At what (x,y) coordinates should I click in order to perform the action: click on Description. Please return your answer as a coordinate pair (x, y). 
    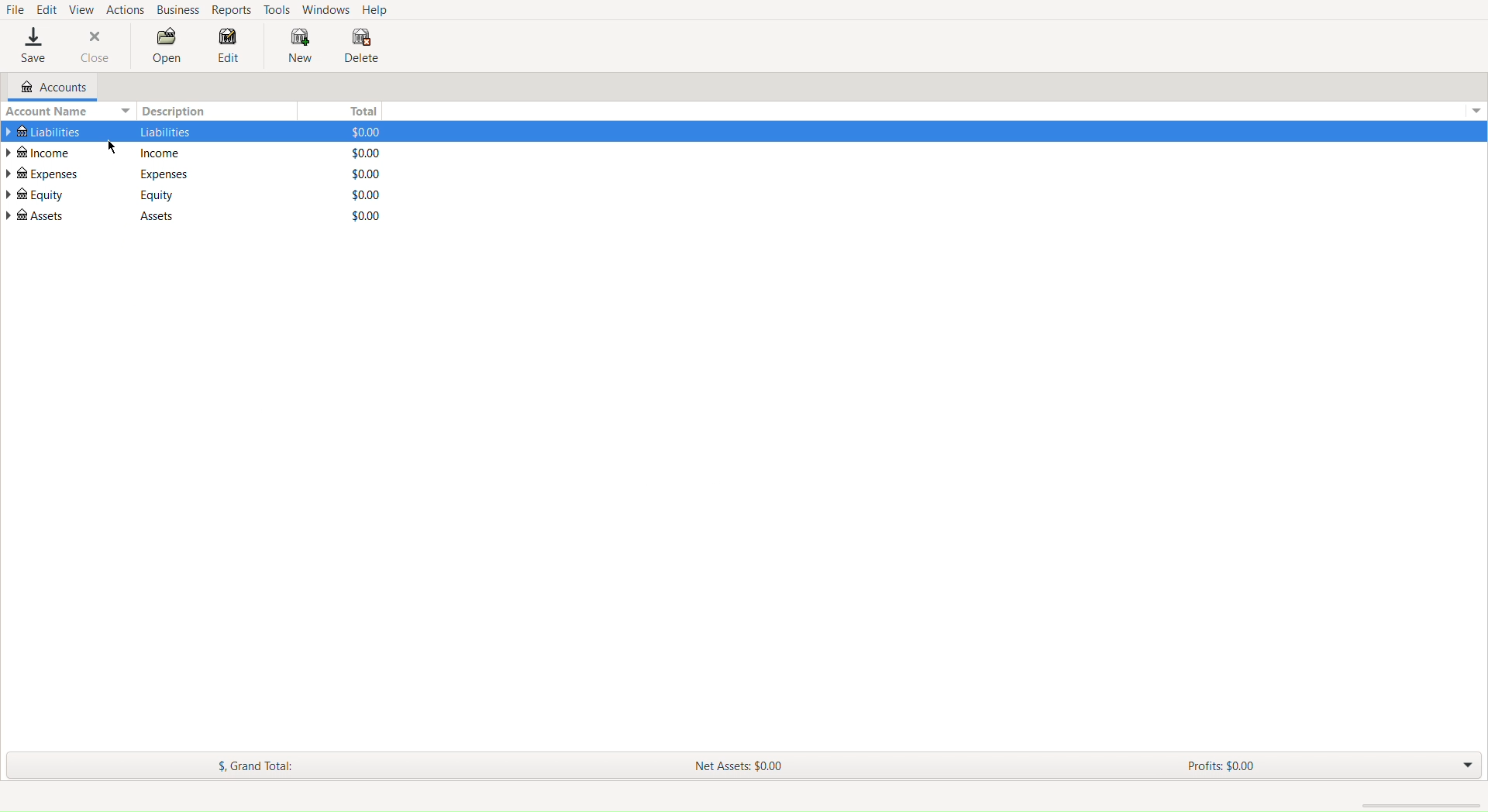
    Looking at the image, I should click on (157, 196).